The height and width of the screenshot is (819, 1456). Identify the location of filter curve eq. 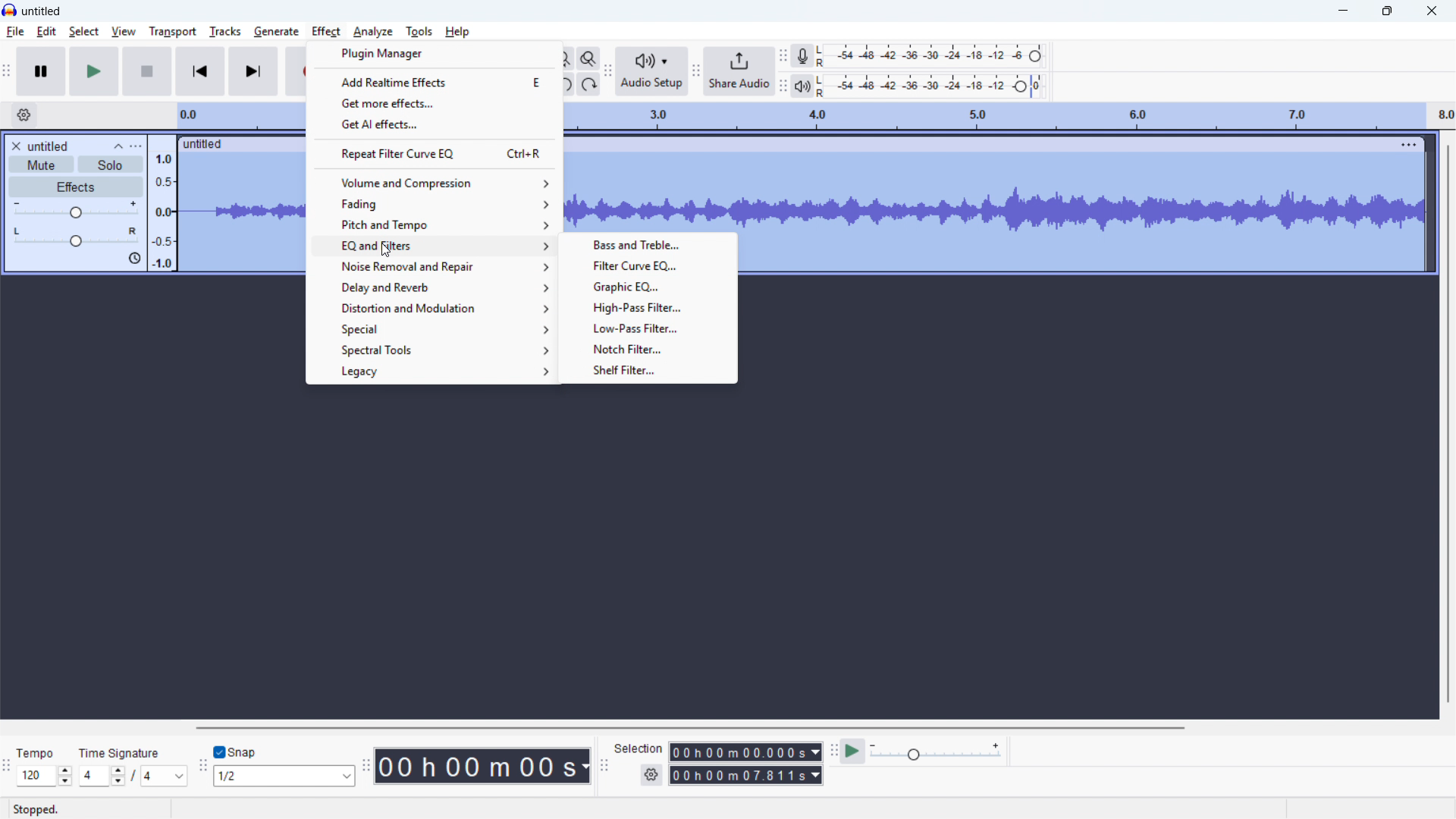
(646, 265).